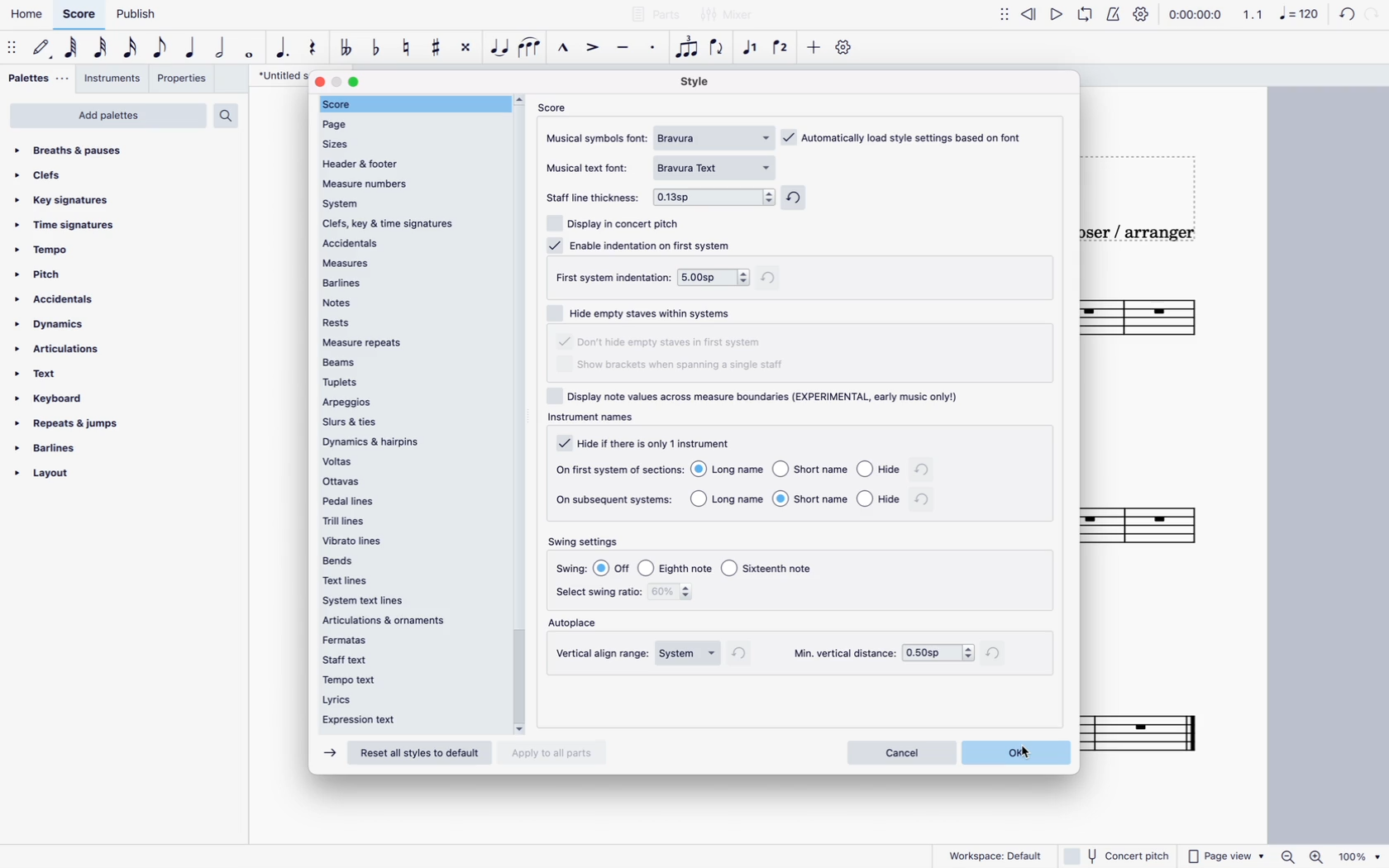 This screenshot has width=1389, height=868. Describe the element at coordinates (702, 83) in the screenshot. I see `style` at that location.